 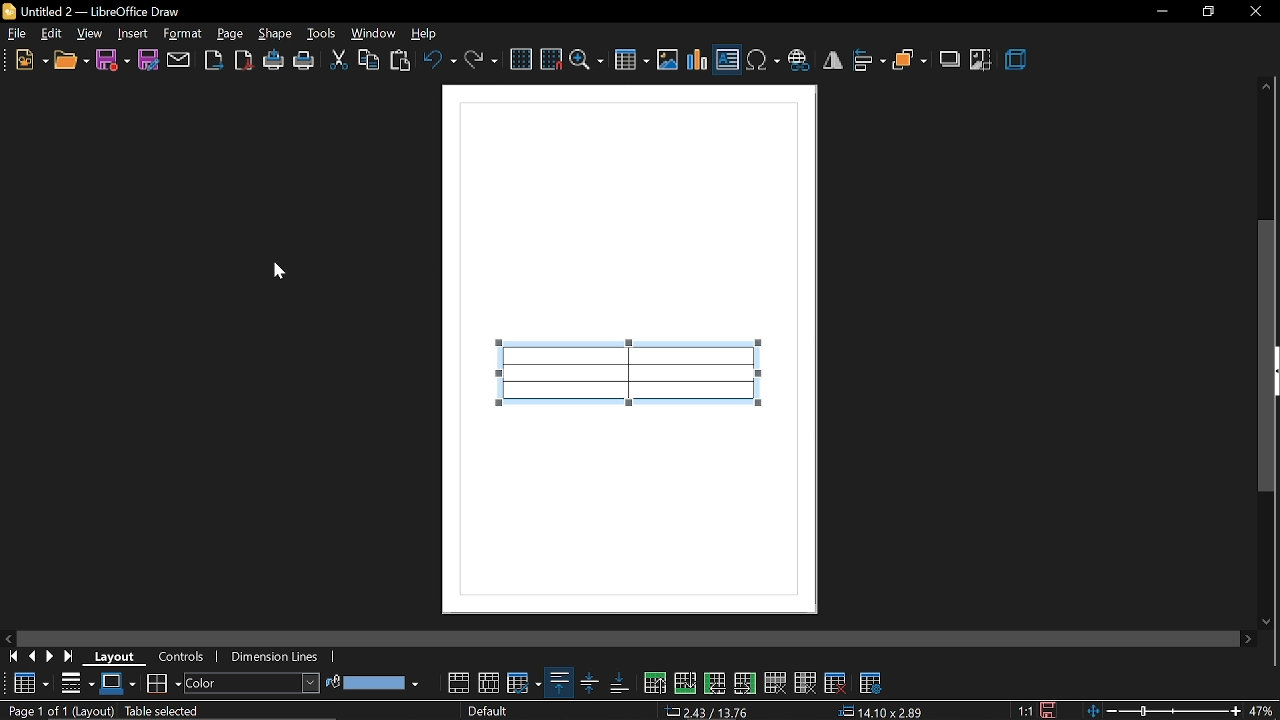 What do you see at coordinates (698, 59) in the screenshot?
I see `insert chart` at bounding box center [698, 59].